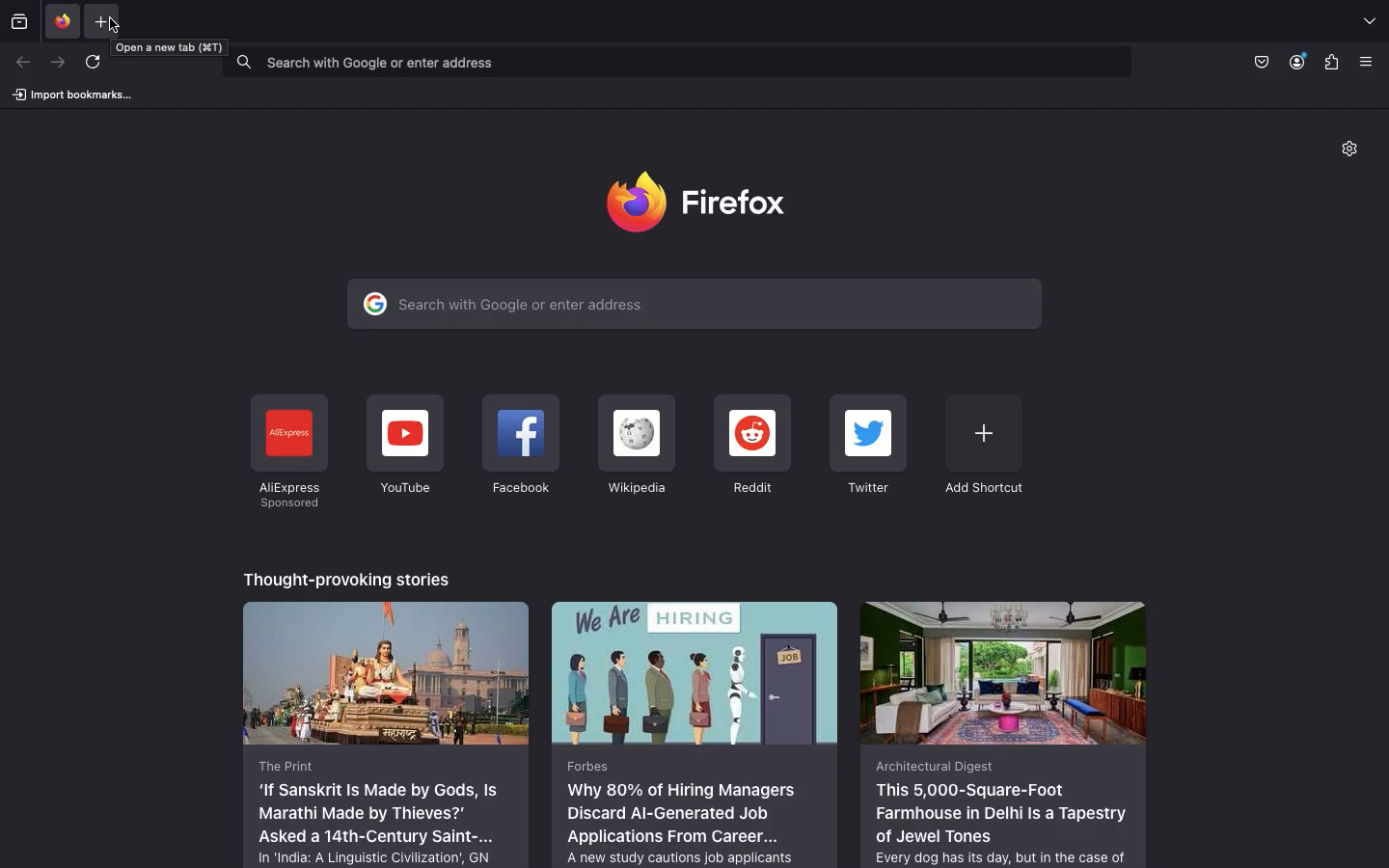 The width and height of the screenshot is (1389, 868). What do you see at coordinates (635, 446) in the screenshot?
I see `Wikipedia` at bounding box center [635, 446].